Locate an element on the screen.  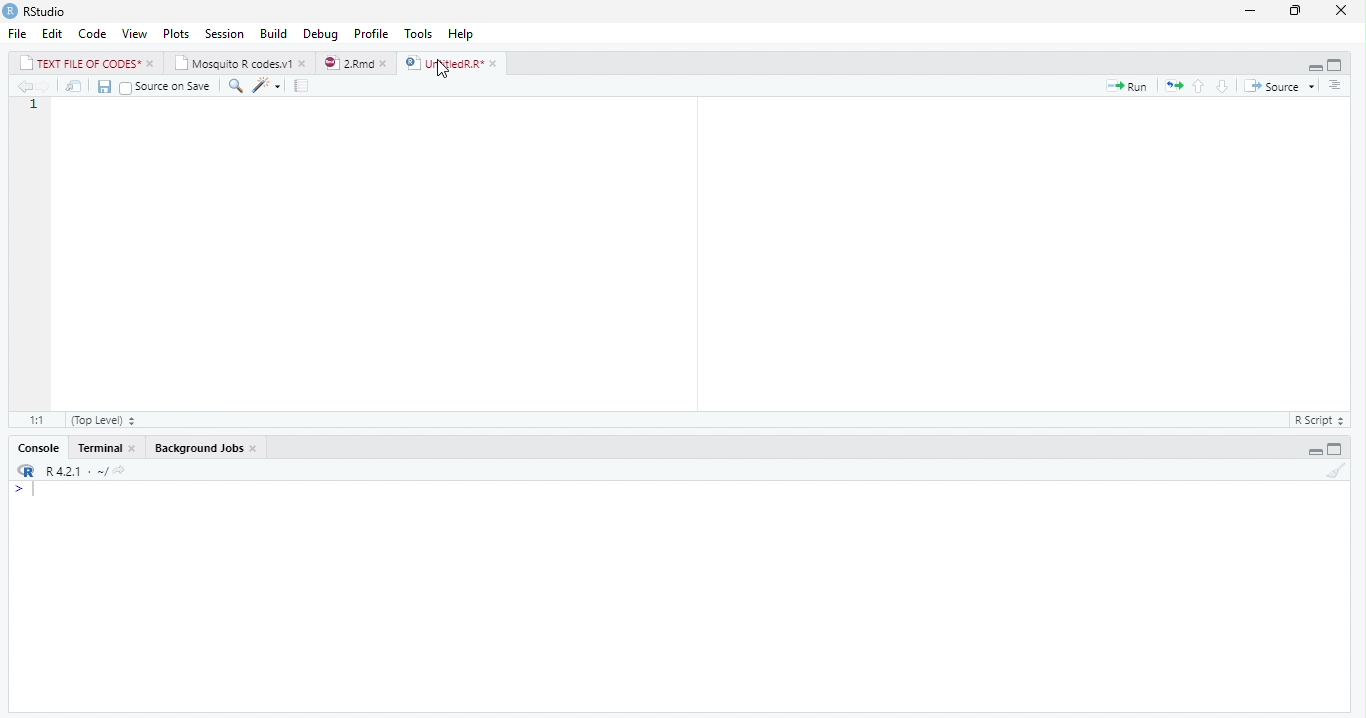
go to next section/chunk is located at coordinates (1222, 86).